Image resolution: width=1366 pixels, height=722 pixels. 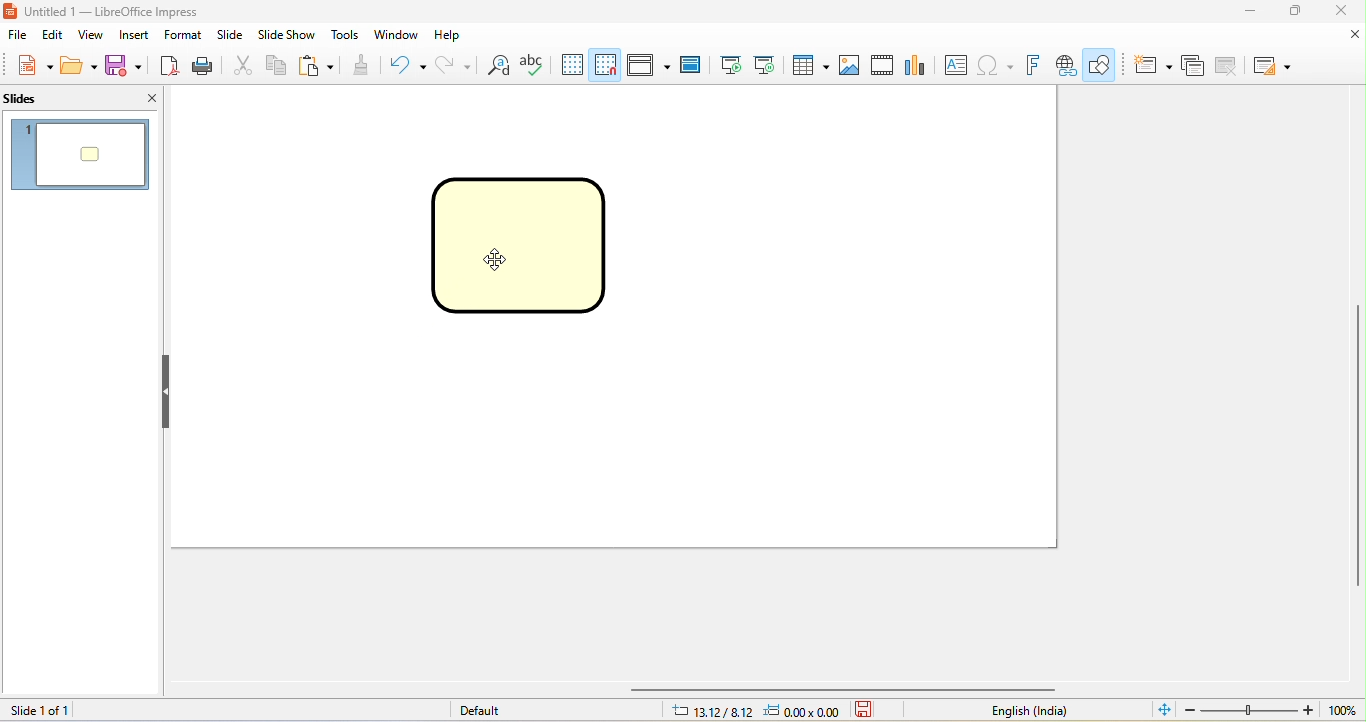 What do you see at coordinates (1272, 710) in the screenshot?
I see `zoom` at bounding box center [1272, 710].